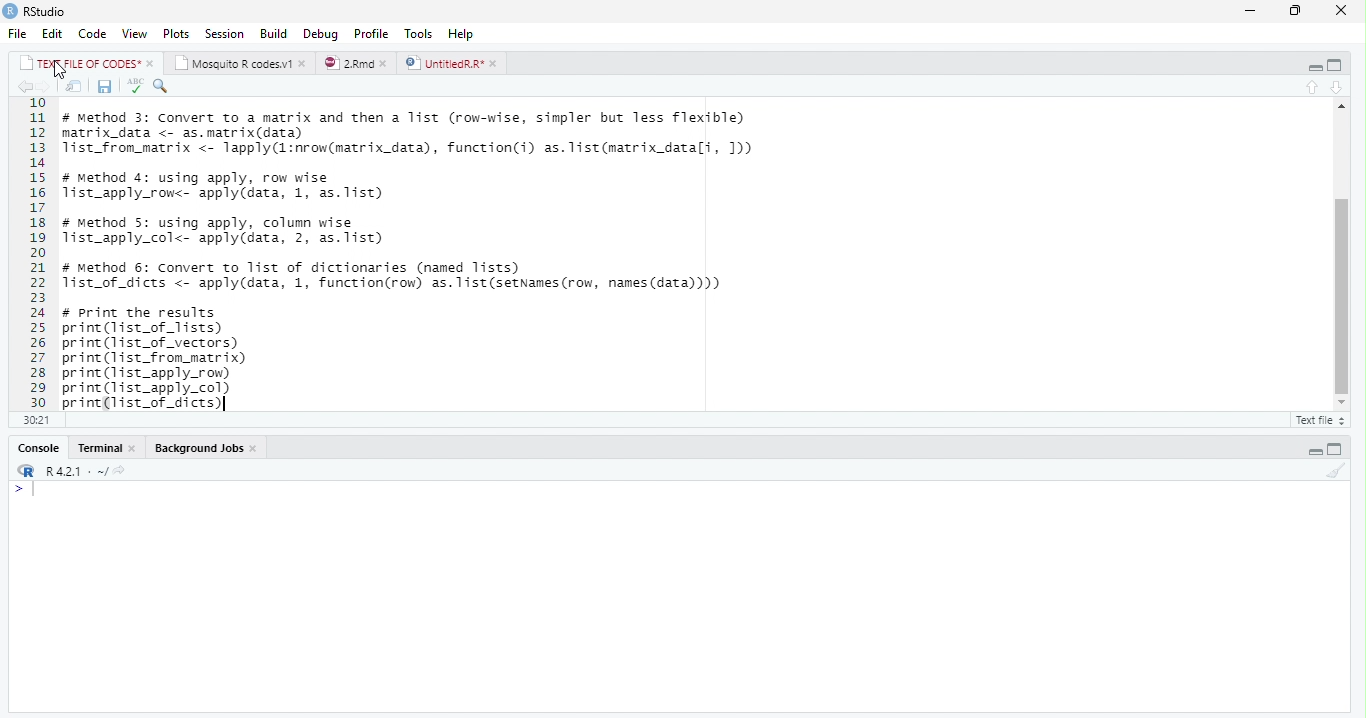 This screenshot has height=718, width=1366. What do you see at coordinates (226, 33) in the screenshot?
I see `Session` at bounding box center [226, 33].